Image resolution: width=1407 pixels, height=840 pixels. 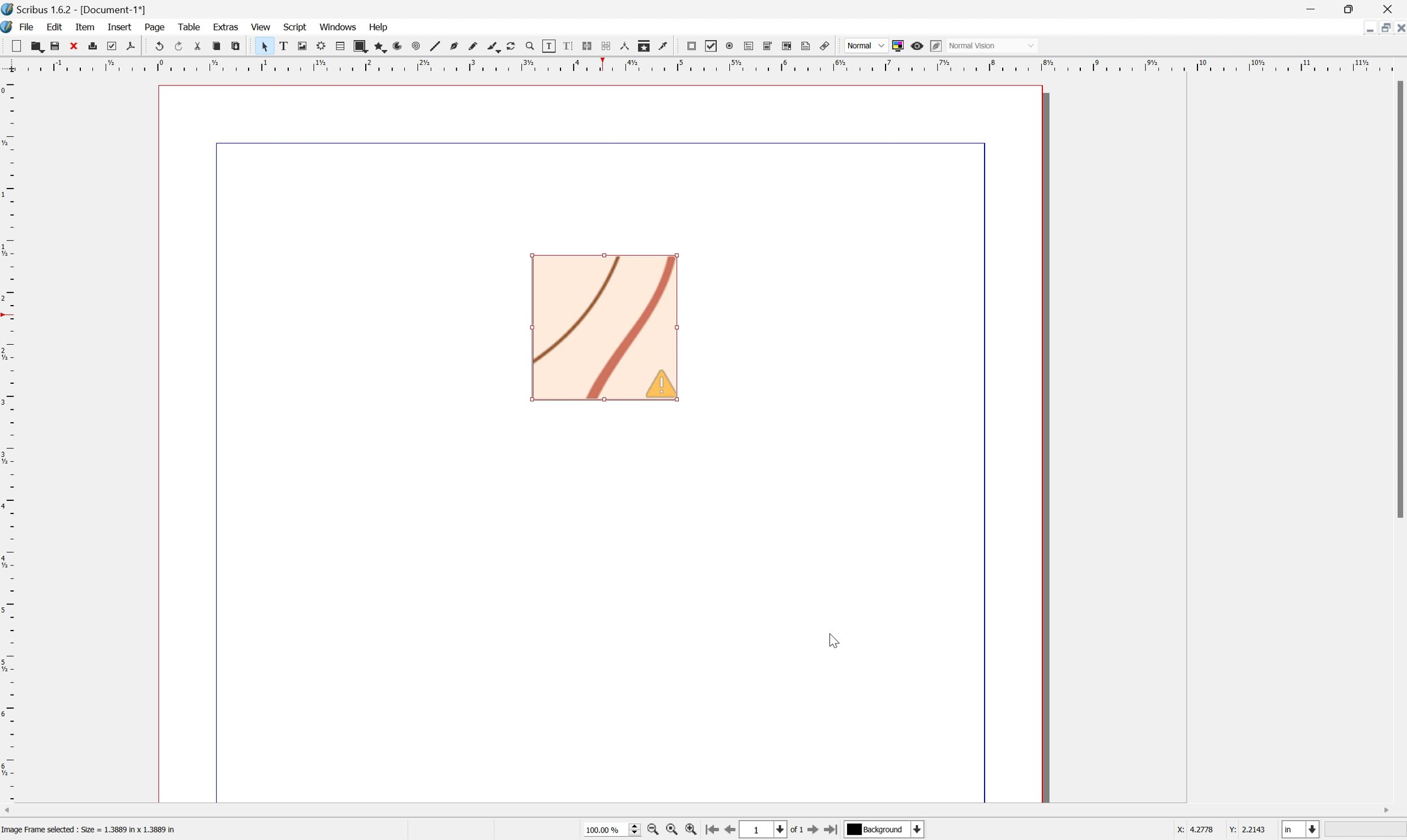 What do you see at coordinates (769, 47) in the screenshot?
I see `PDF combo box` at bounding box center [769, 47].